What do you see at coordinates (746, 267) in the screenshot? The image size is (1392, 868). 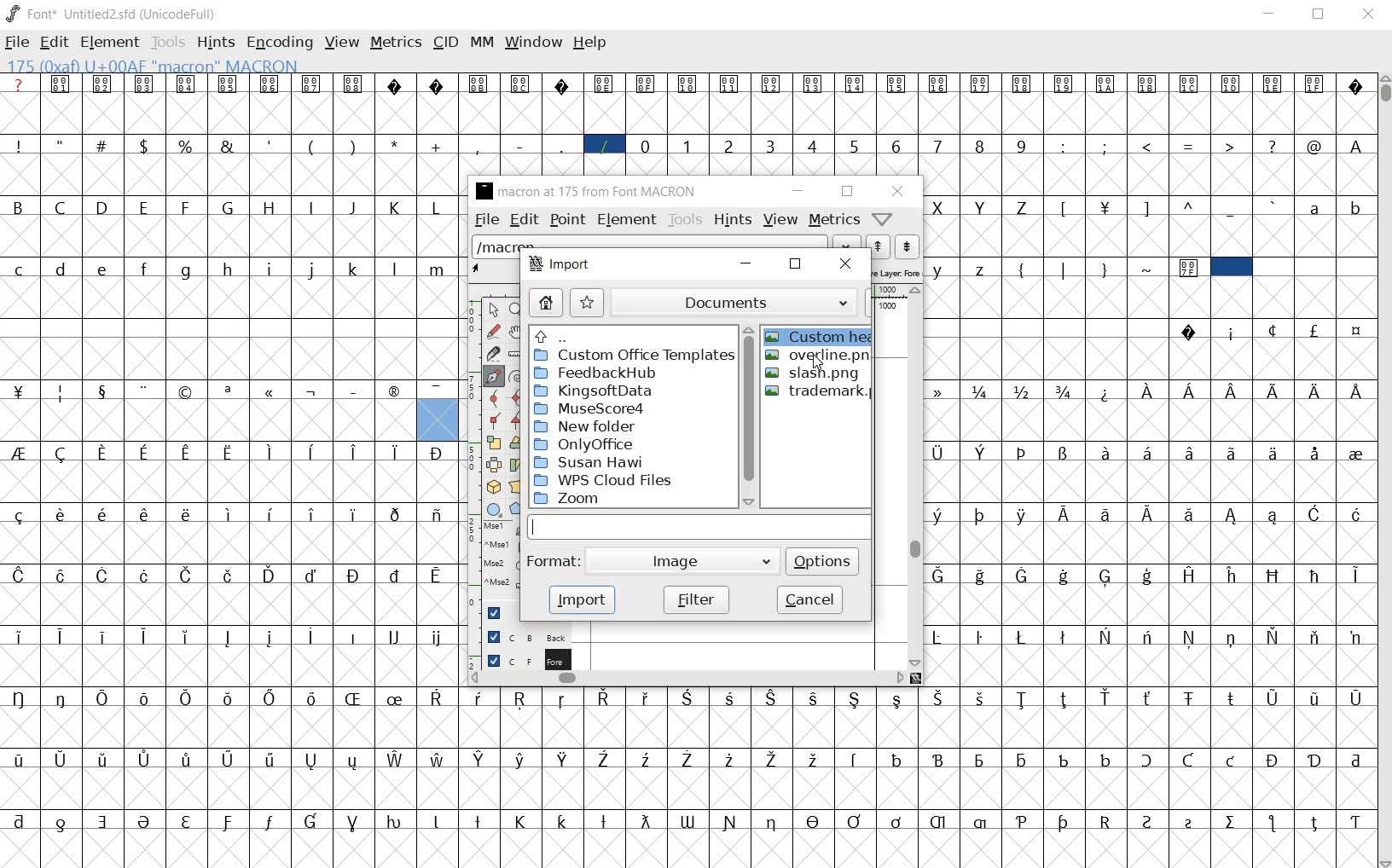 I see `minimize` at bounding box center [746, 267].